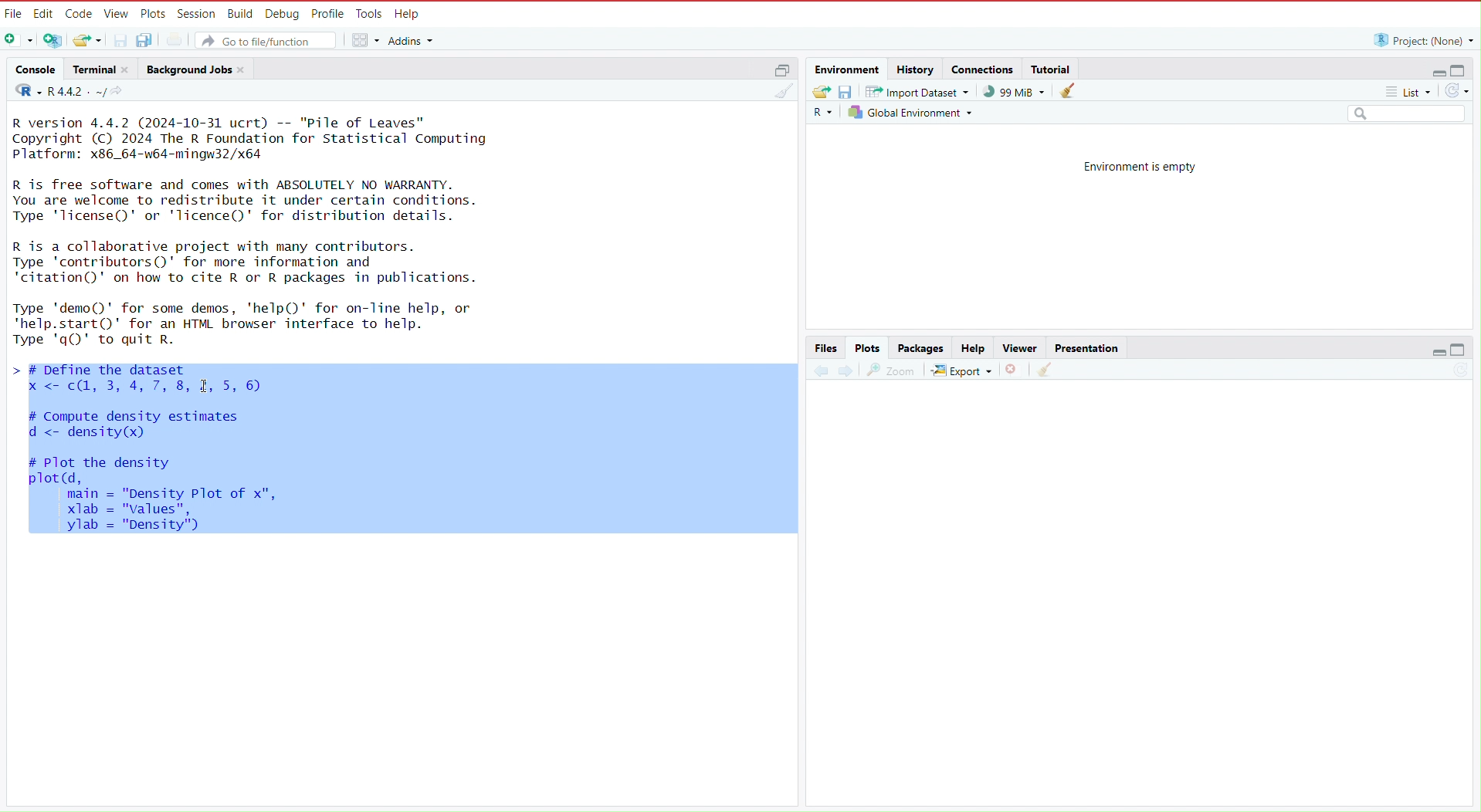 The width and height of the screenshot is (1481, 812). Describe the element at coordinates (45, 12) in the screenshot. I see `edit` at that location.